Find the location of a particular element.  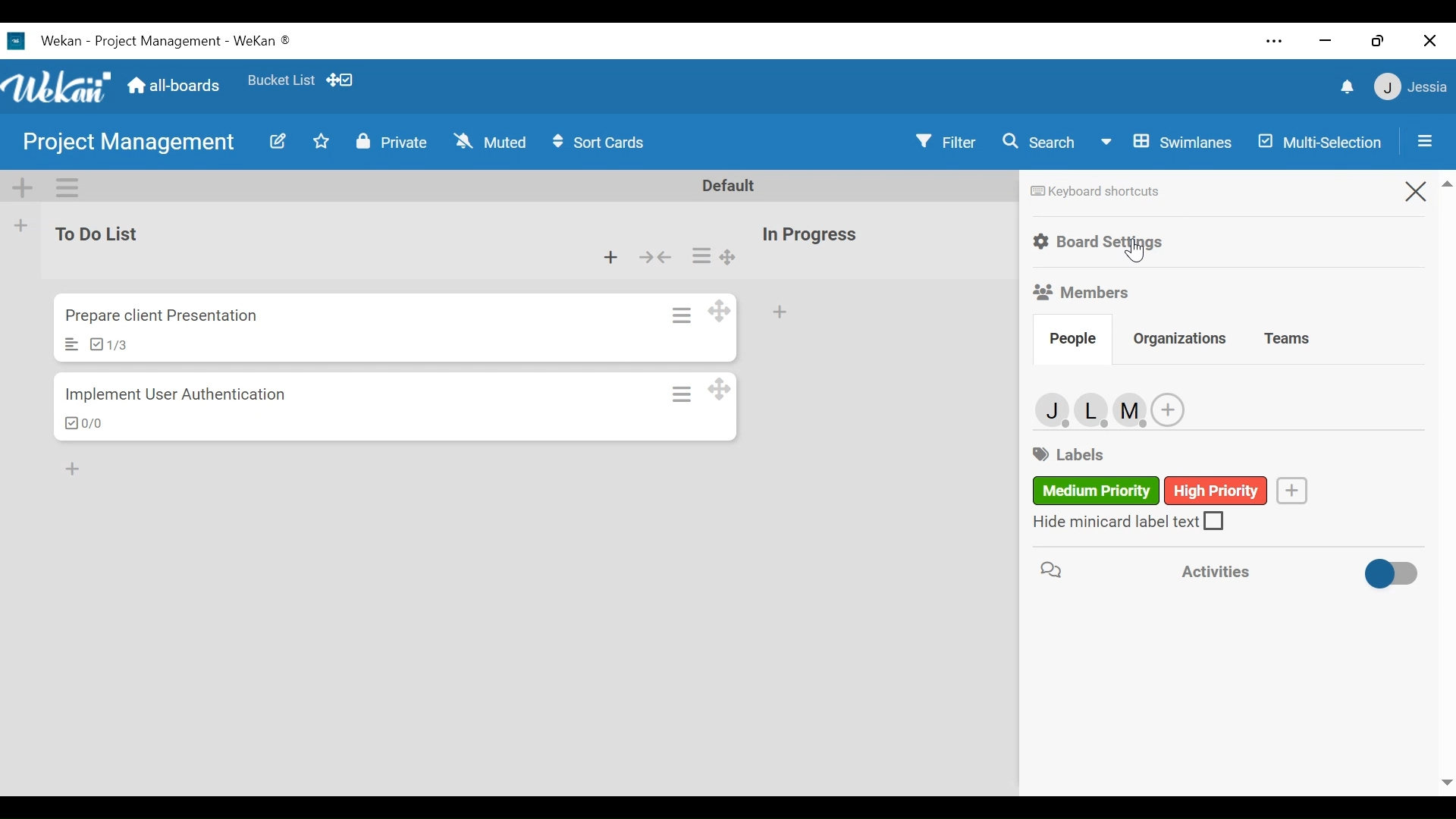

Add Swimlane is located at coordinates (21, 187).